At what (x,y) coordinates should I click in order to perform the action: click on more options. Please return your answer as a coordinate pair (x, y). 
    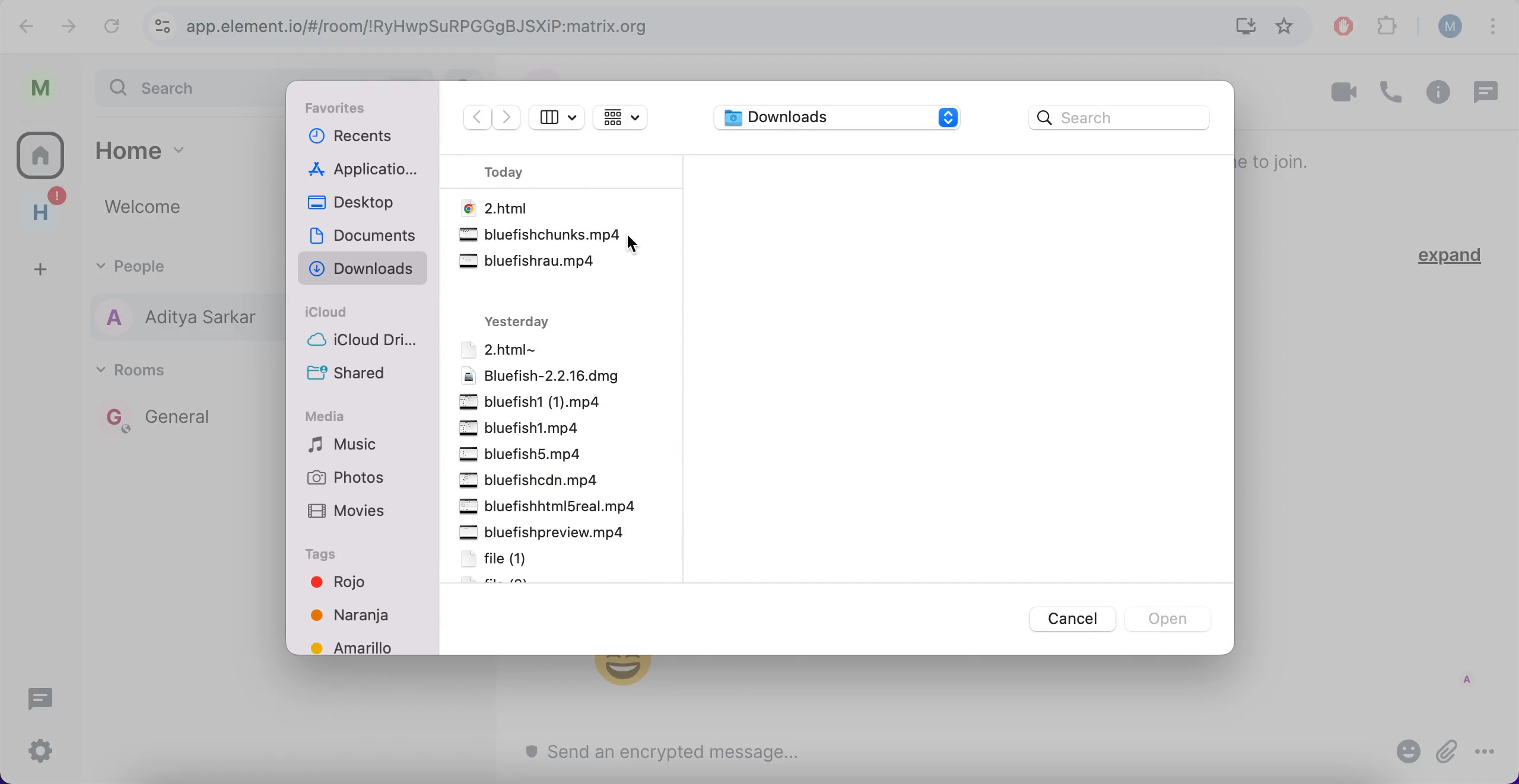
    Looking at the image, I should click on (1494, 753).